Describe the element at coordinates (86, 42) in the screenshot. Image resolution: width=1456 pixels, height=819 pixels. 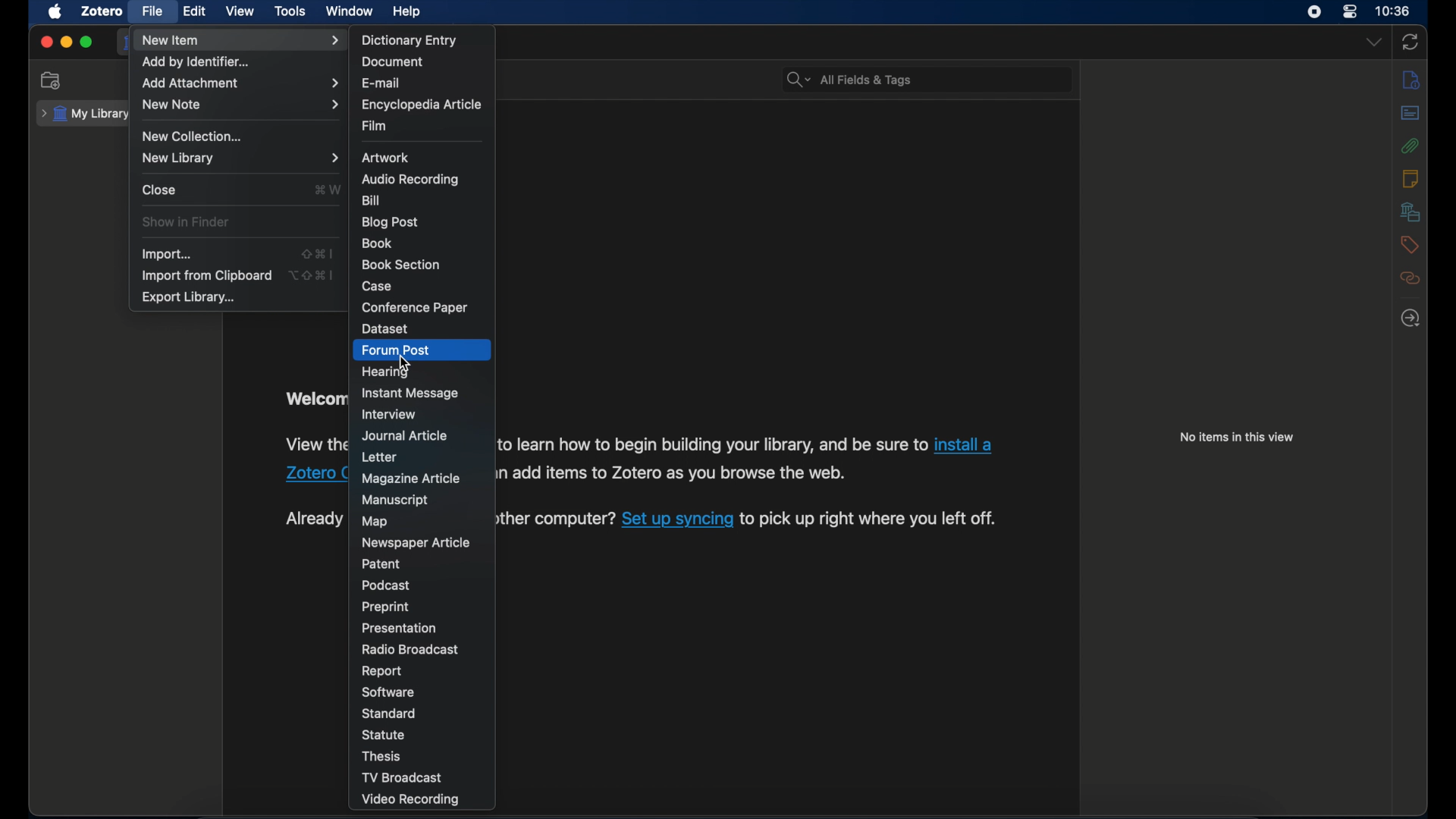
I see `maximize` at that location.